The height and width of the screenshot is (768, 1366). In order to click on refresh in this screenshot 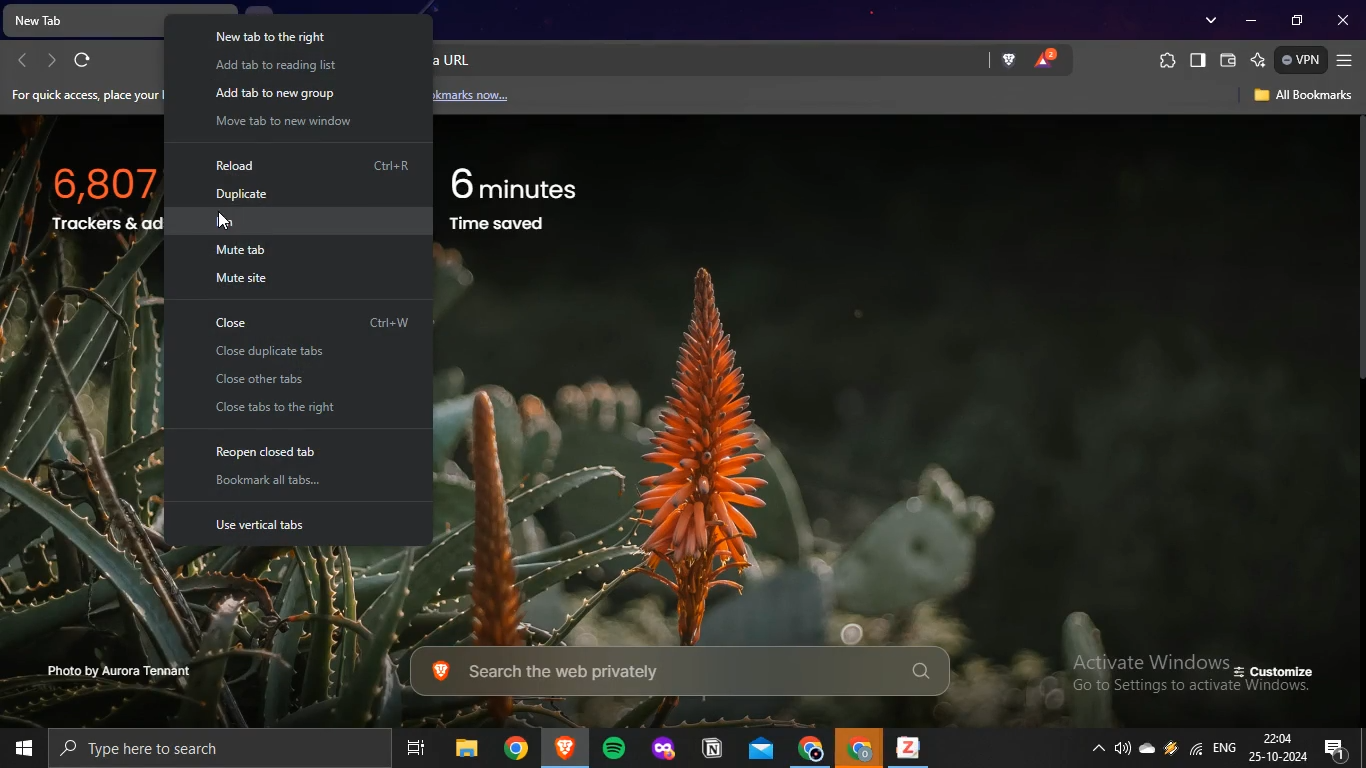, I will do `click(84, 59)`.